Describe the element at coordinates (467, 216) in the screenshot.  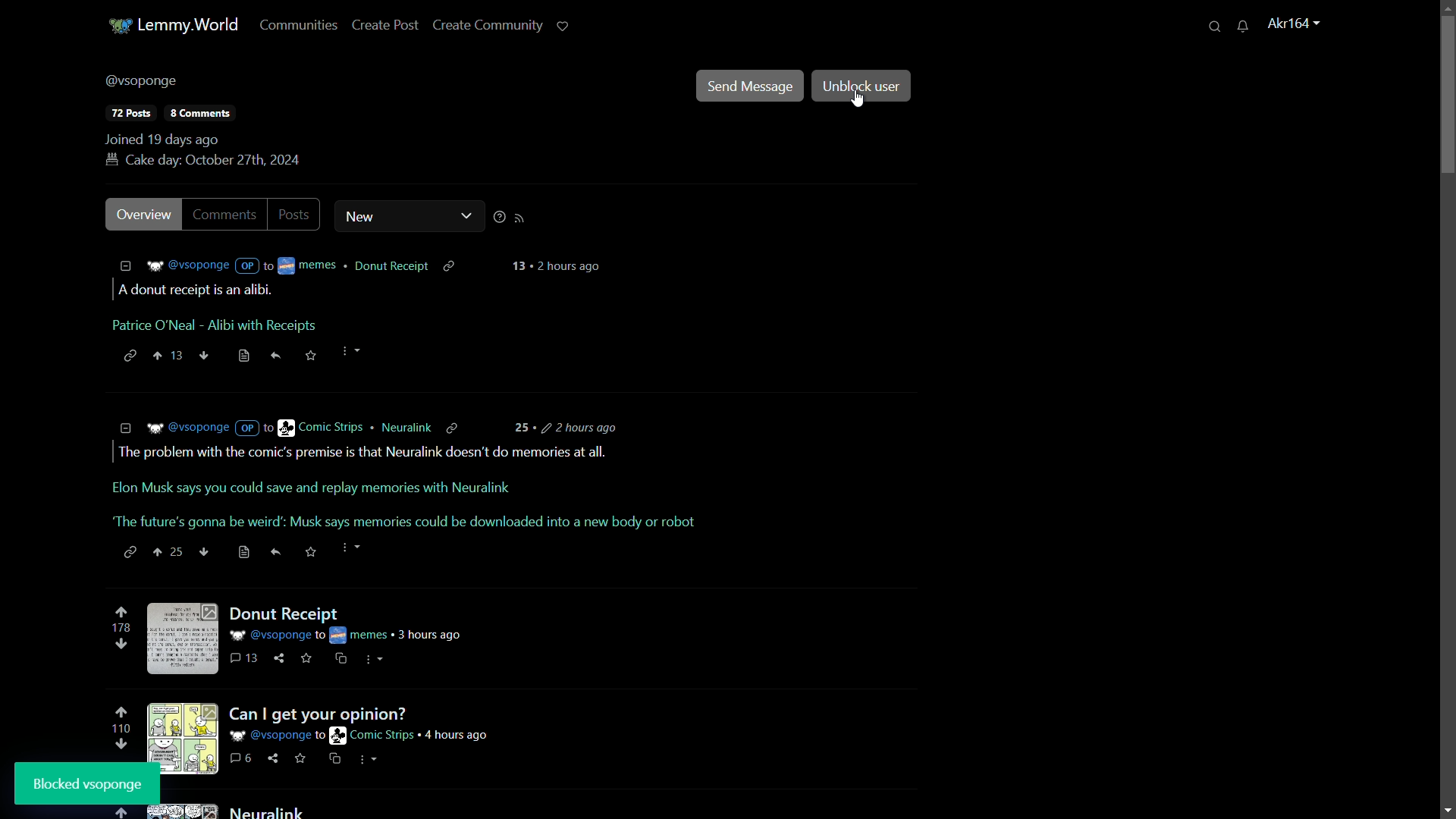
I see `dropdown` at that location.